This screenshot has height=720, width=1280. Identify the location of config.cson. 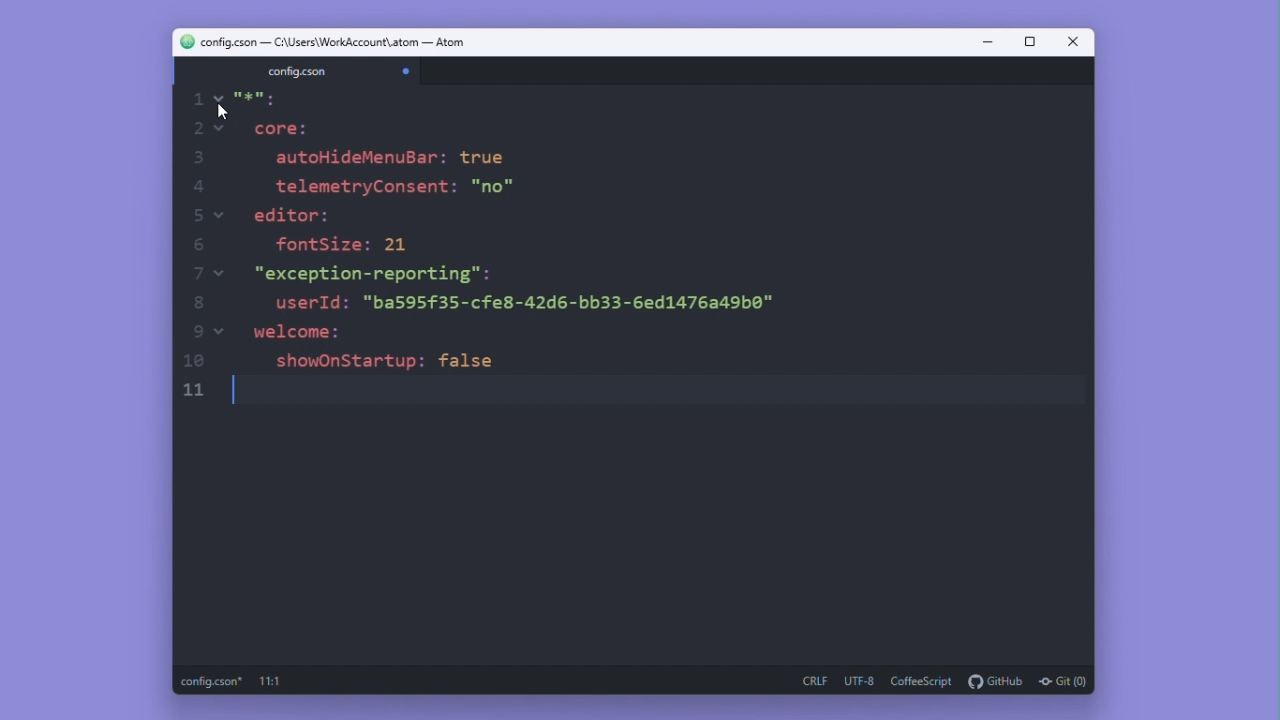
(295, 71).